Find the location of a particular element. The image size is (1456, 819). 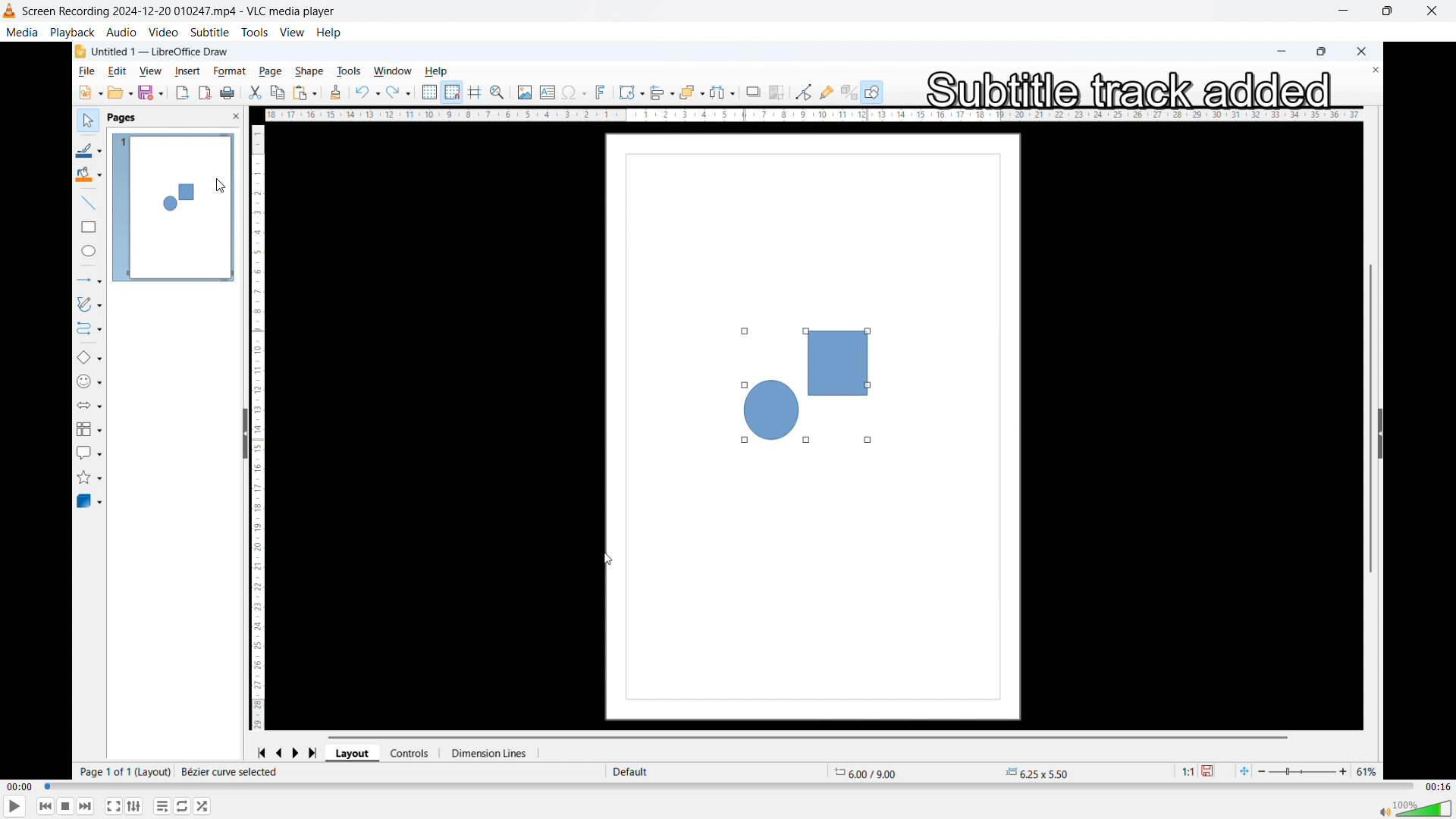

window is located at coordinates (393, 71).